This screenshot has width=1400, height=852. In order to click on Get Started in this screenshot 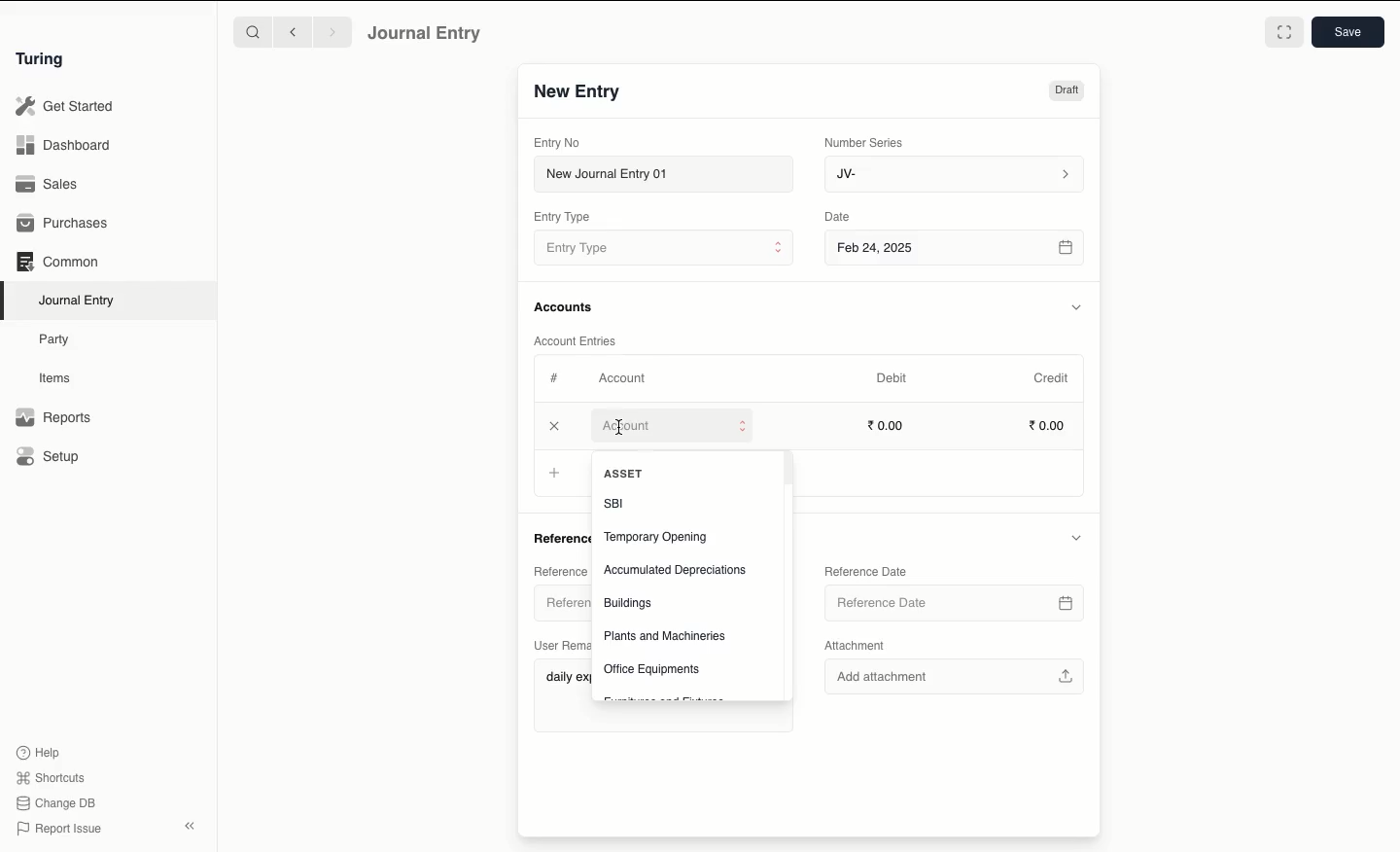, I will do `click(66, 107)`.